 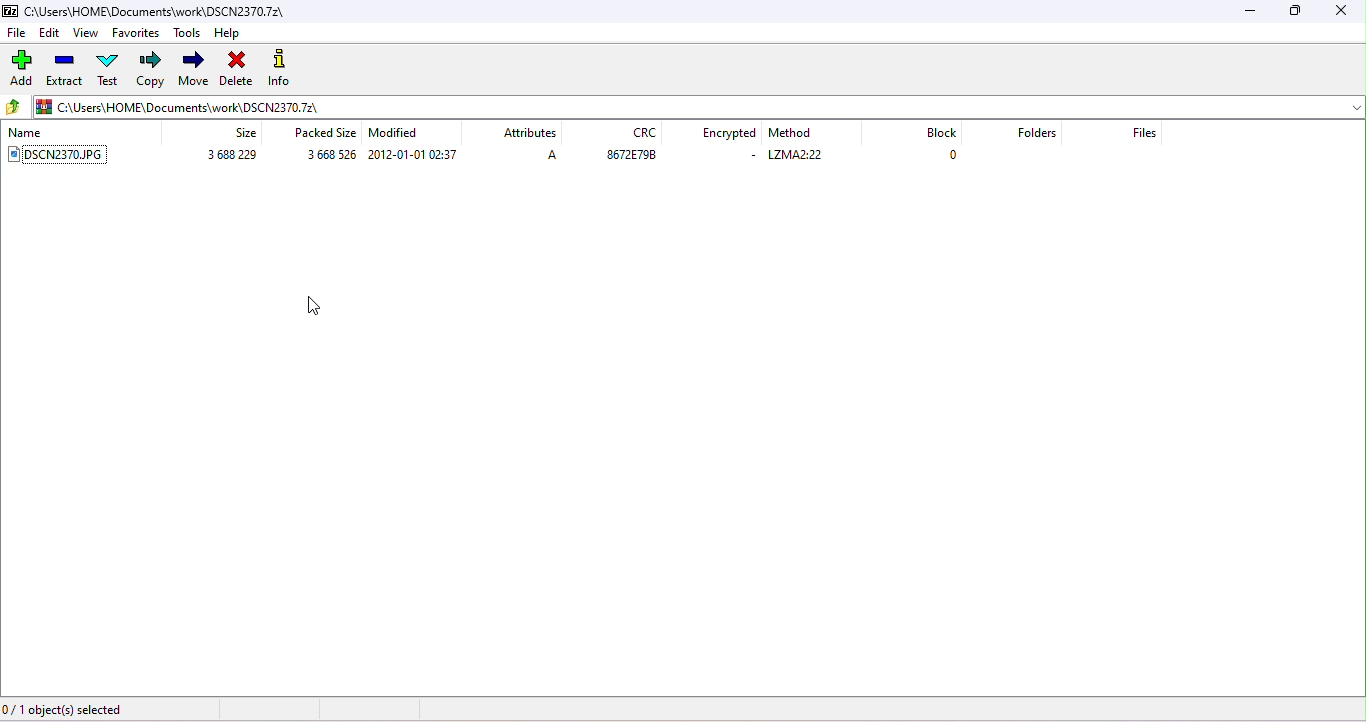 What do you see at coordinates (68, 155) in the screenshot?
I see `image file` at bounding box center [68, 155].